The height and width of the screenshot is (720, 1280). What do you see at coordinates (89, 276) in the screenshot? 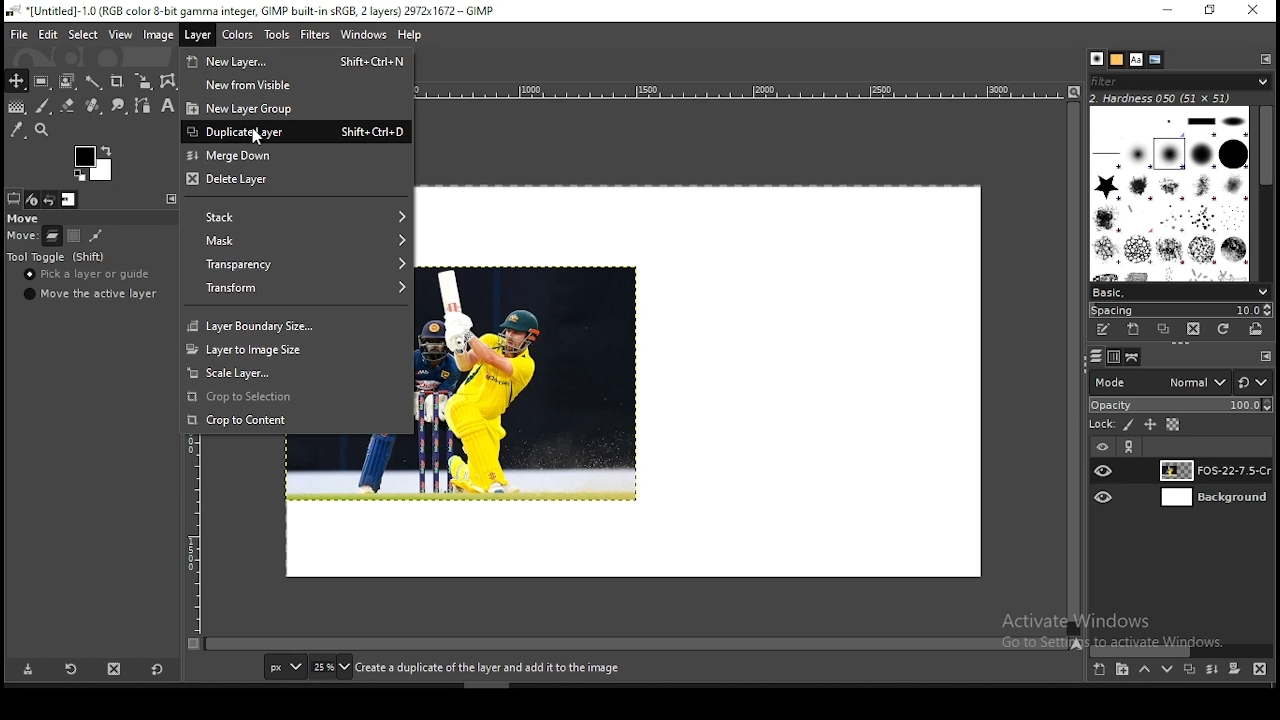
I see `pick a layer or guide` at bounding box center [89, 276].